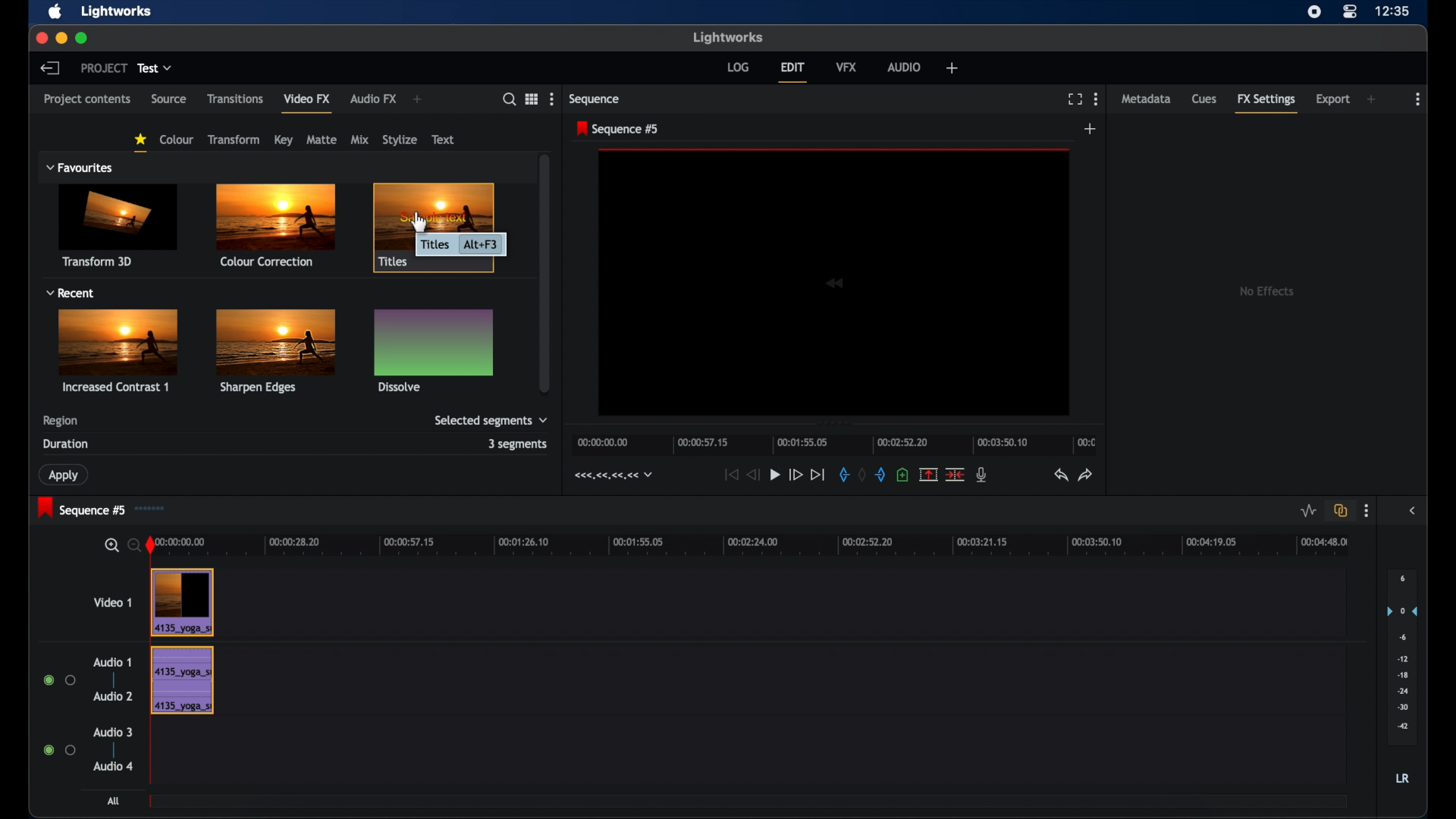  Describe the element at coordinates (730, 475) in the screenshot. I see `jump to start` at that location.